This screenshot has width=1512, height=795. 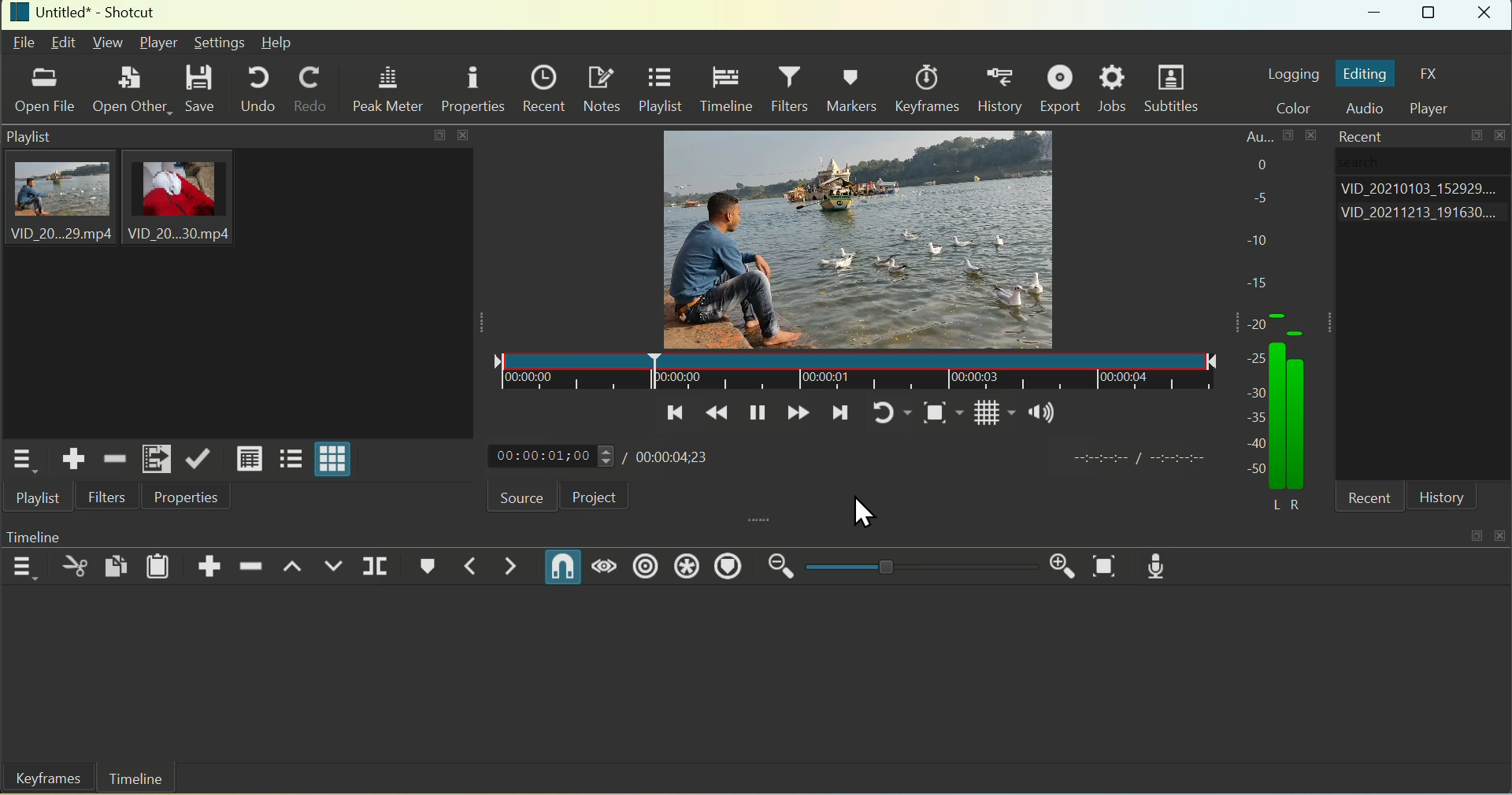 What do you see at coordinates (294, 569) in the screenshot?
I see `Lift` at bounding box center [294, 569].